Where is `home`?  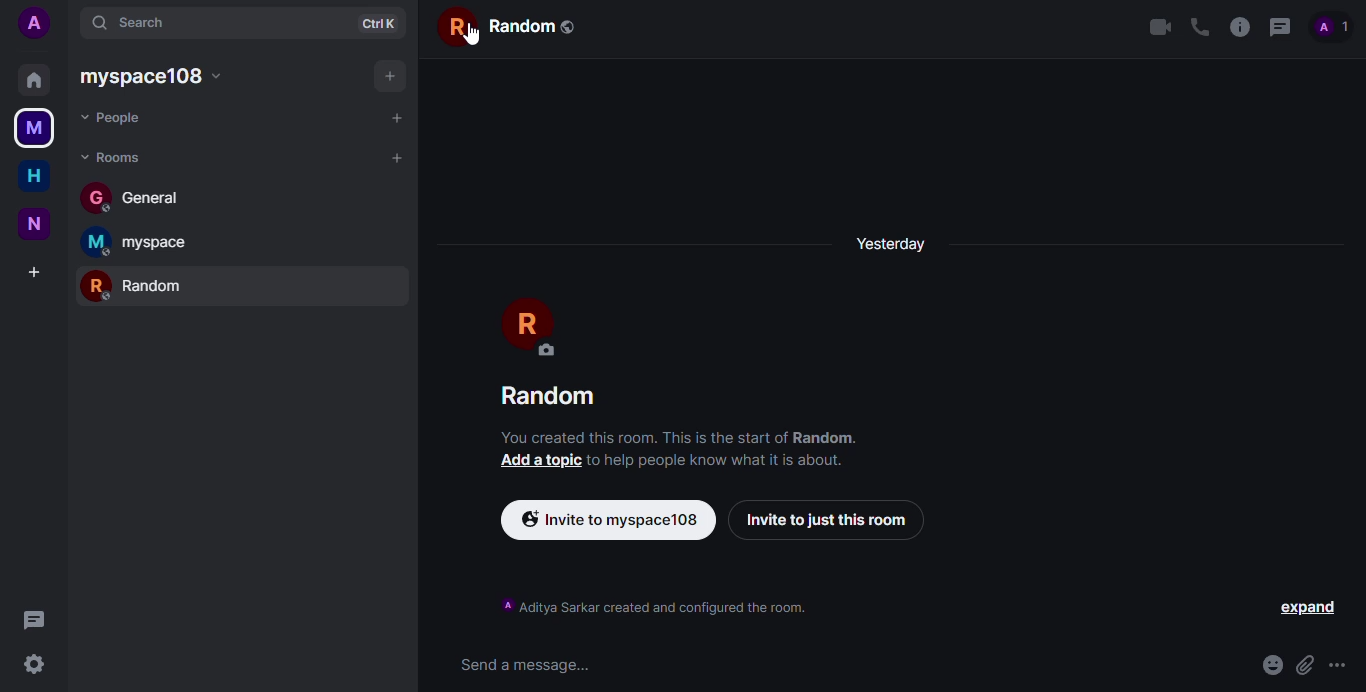
home is located at coordinates (33, 177).